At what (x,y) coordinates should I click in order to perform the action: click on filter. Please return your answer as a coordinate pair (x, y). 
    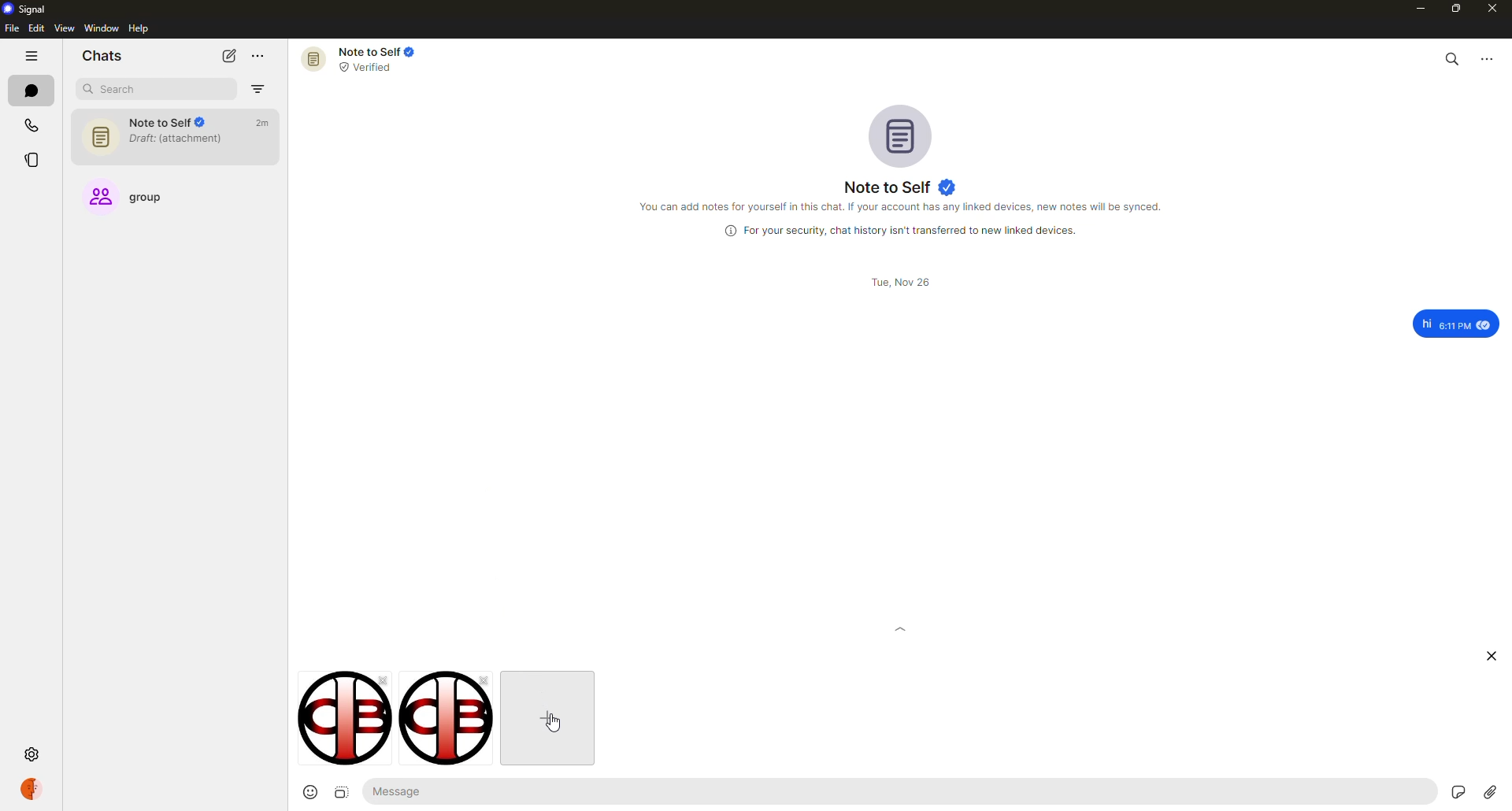
    Looking at the image, I should click on (257, 88).